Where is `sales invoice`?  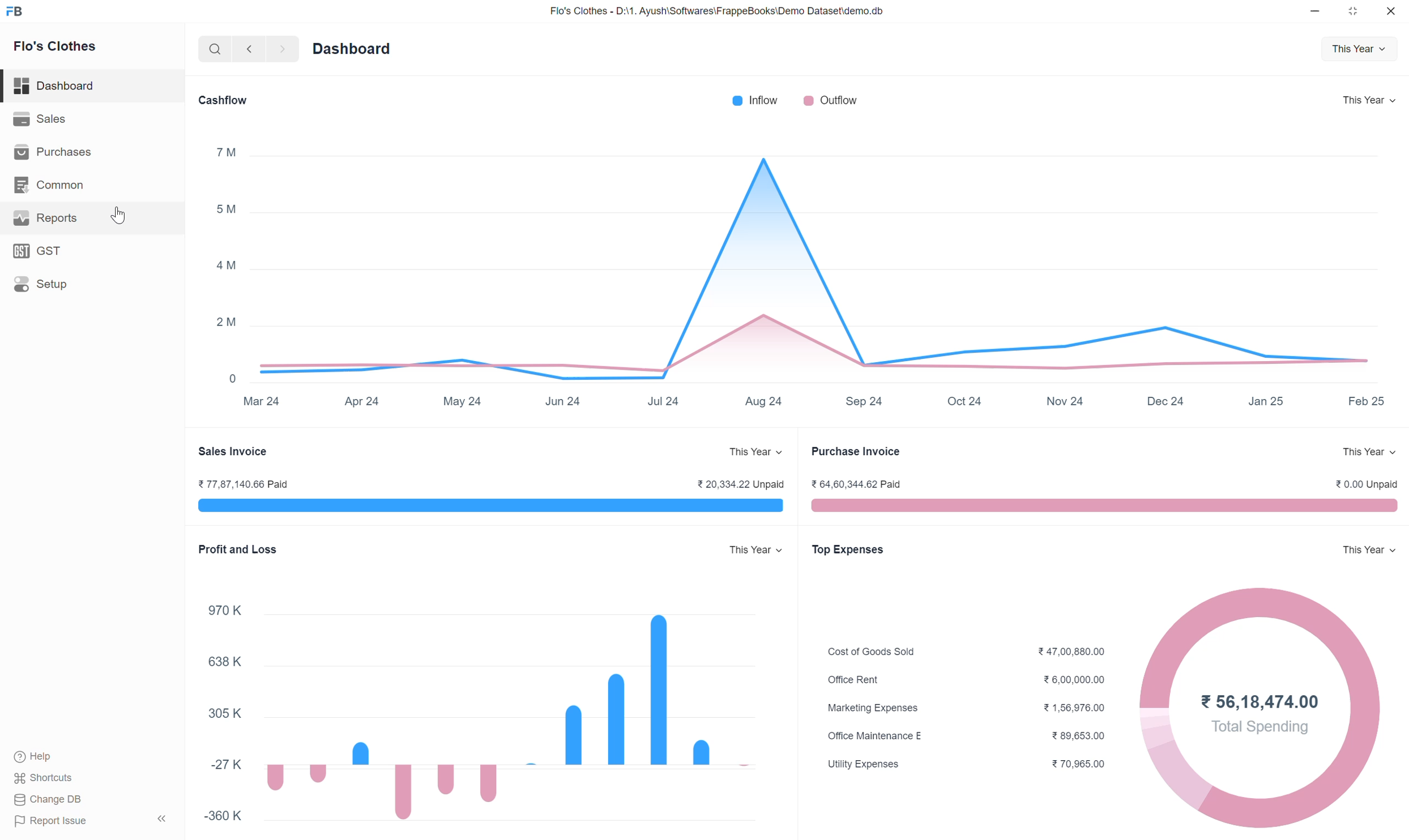 sales invoice is located at coordinates (485, 507).